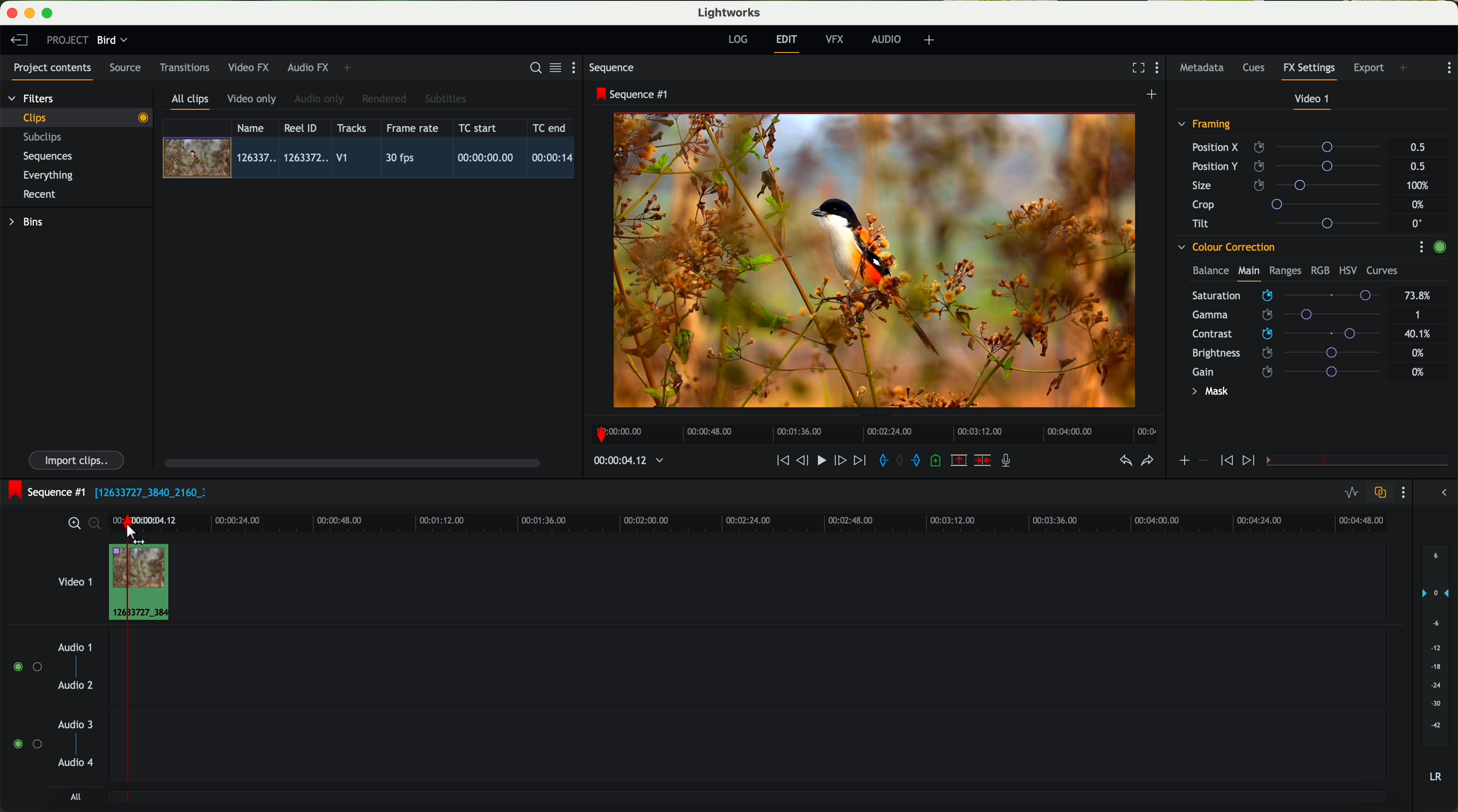 The height and width of the screenshot is (812, 1458). What do you see at coordinates (32, 98) in the screenshot?
I see `filters` at bounding box center [32, 98].